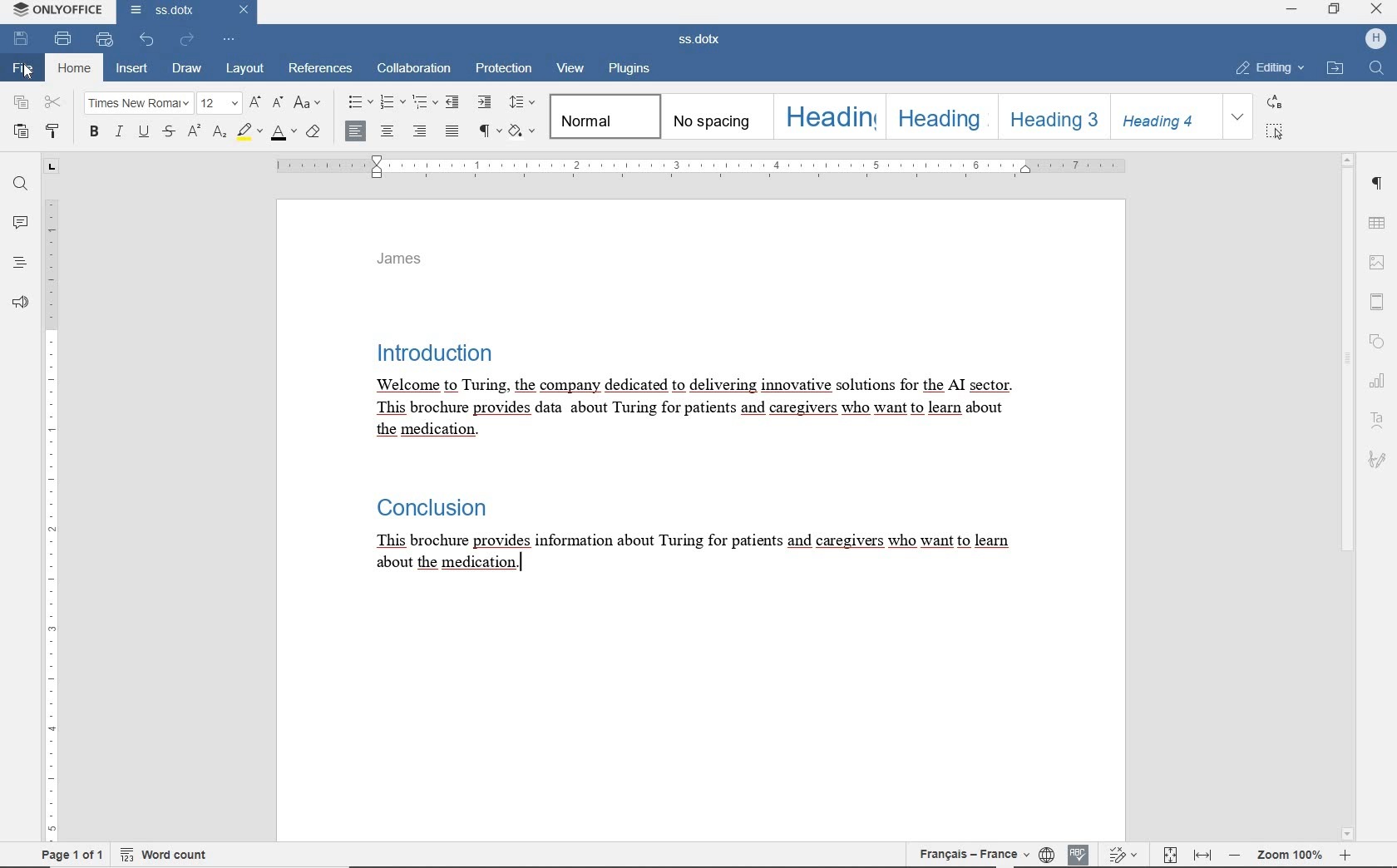 This screenshot has width=1397, height=868. What do you see at coordinates (453, 103) in the screenshot?
I see `DECREASE INDENT` at bounding box center [453, 103].